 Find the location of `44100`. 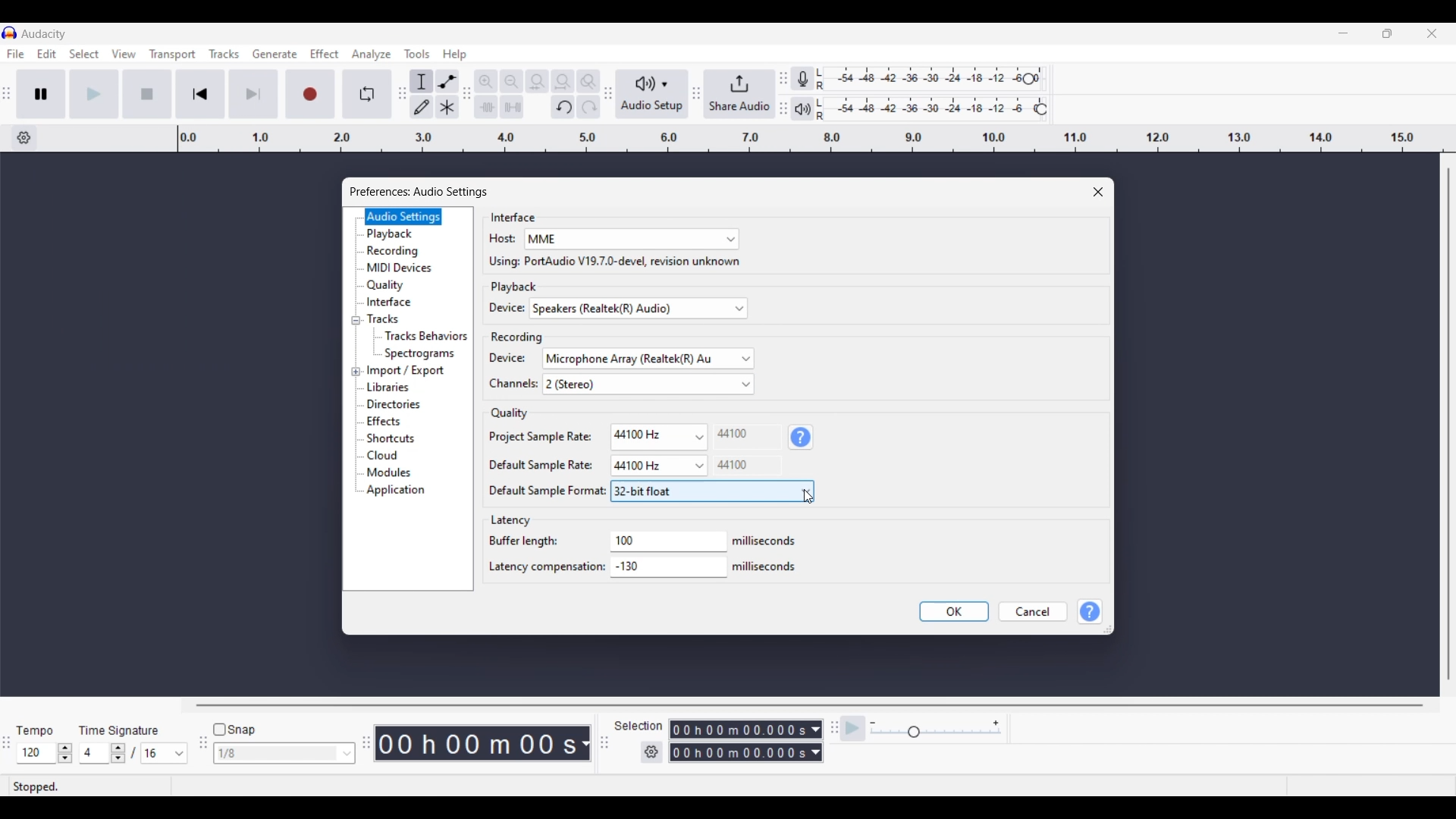

44100 is located at coordinates (732, 435).